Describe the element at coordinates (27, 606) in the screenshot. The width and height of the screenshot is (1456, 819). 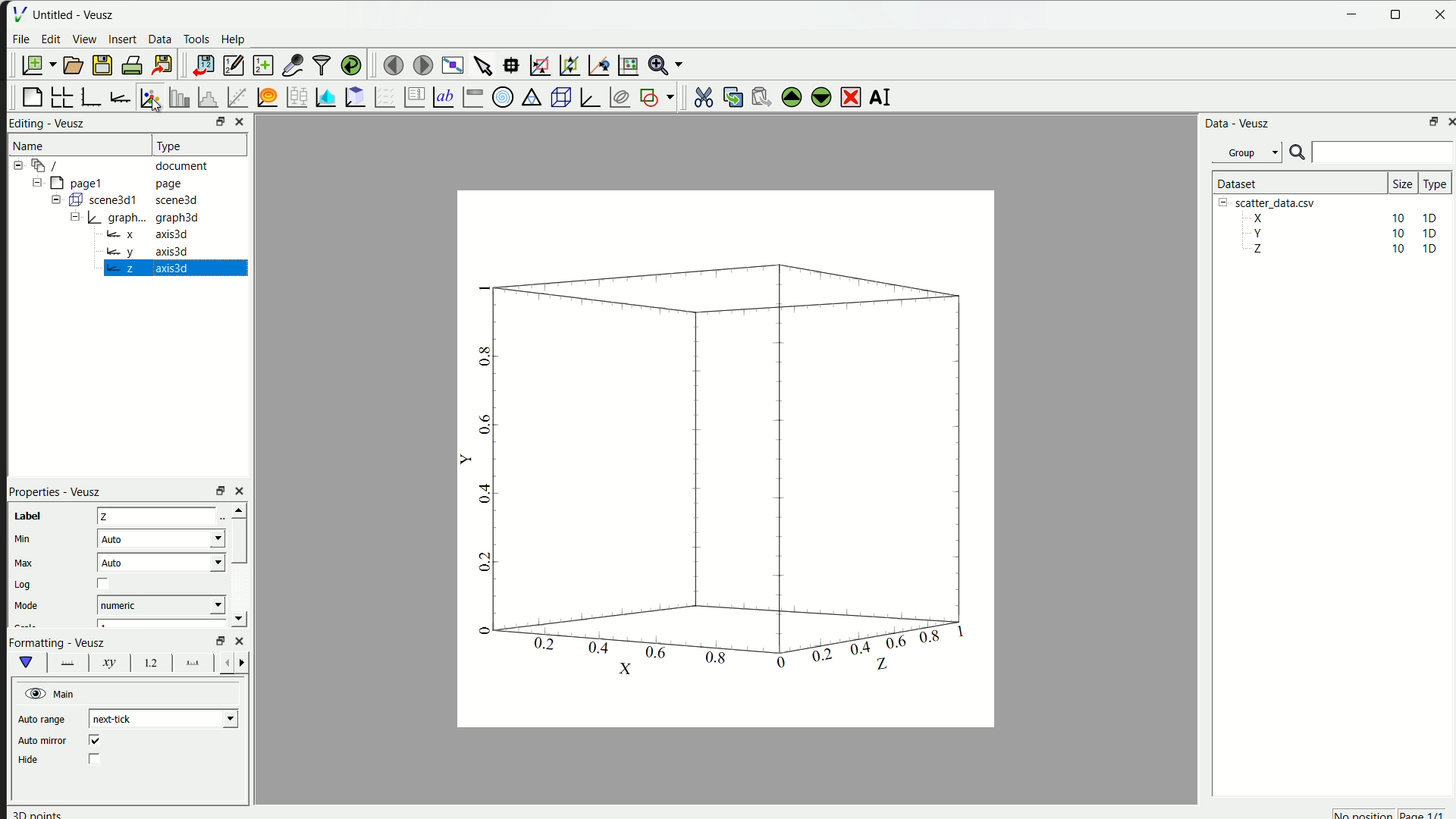
I see `‘Mode` at that location.